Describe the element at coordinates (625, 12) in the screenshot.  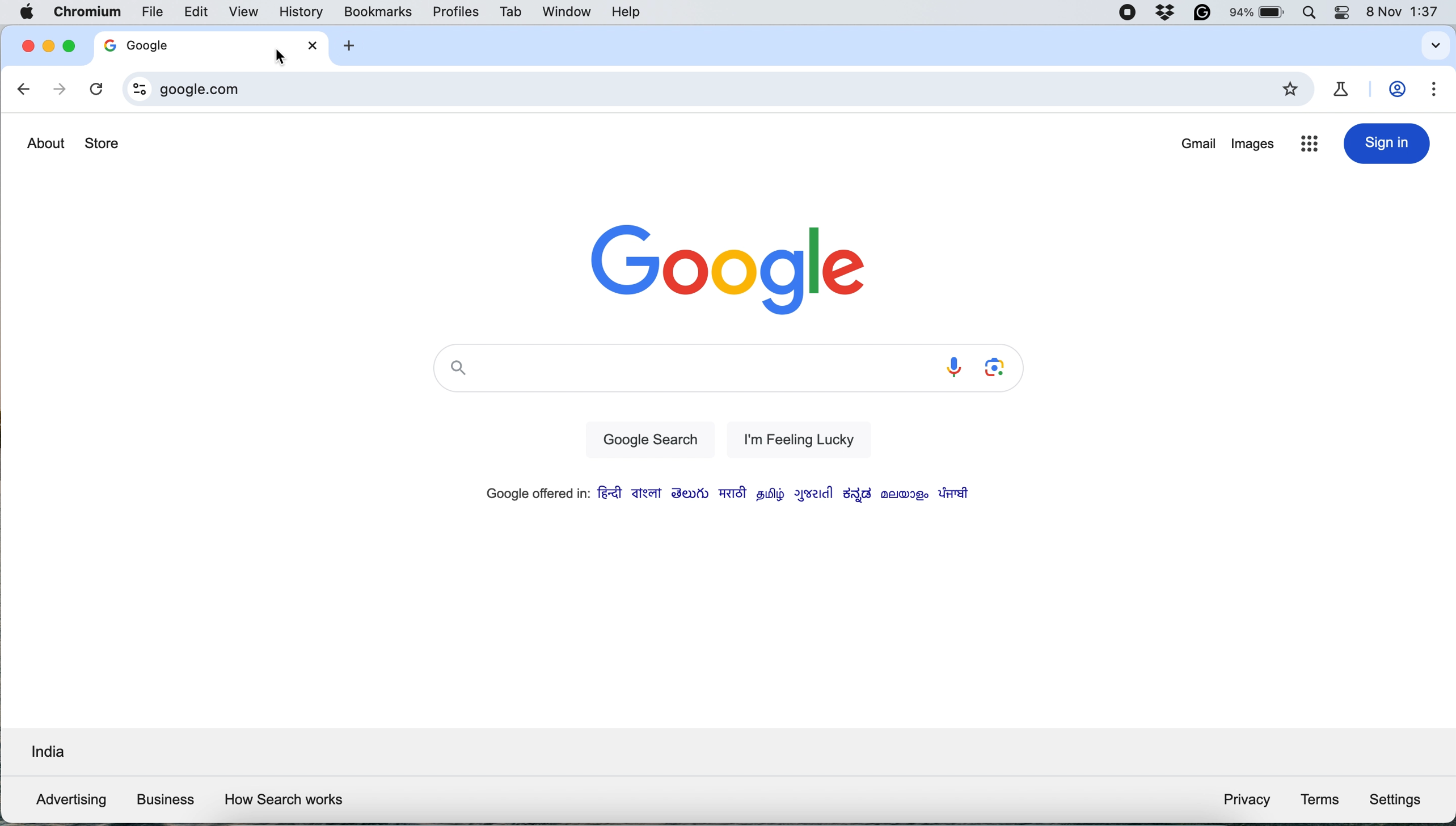
I see `help` at that location.